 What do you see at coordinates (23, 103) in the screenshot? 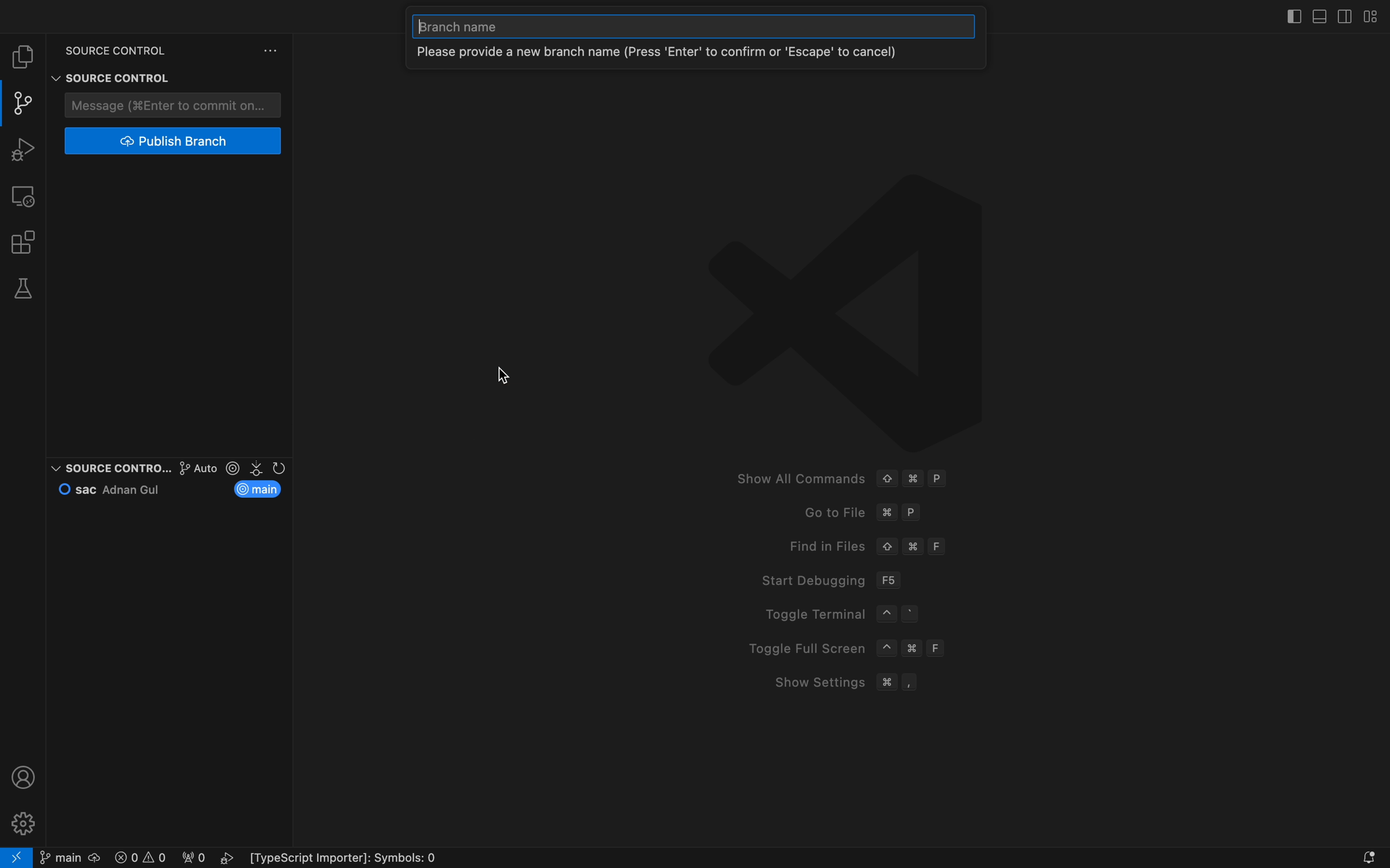
I see `git panel` at bounding box center [23, 103].